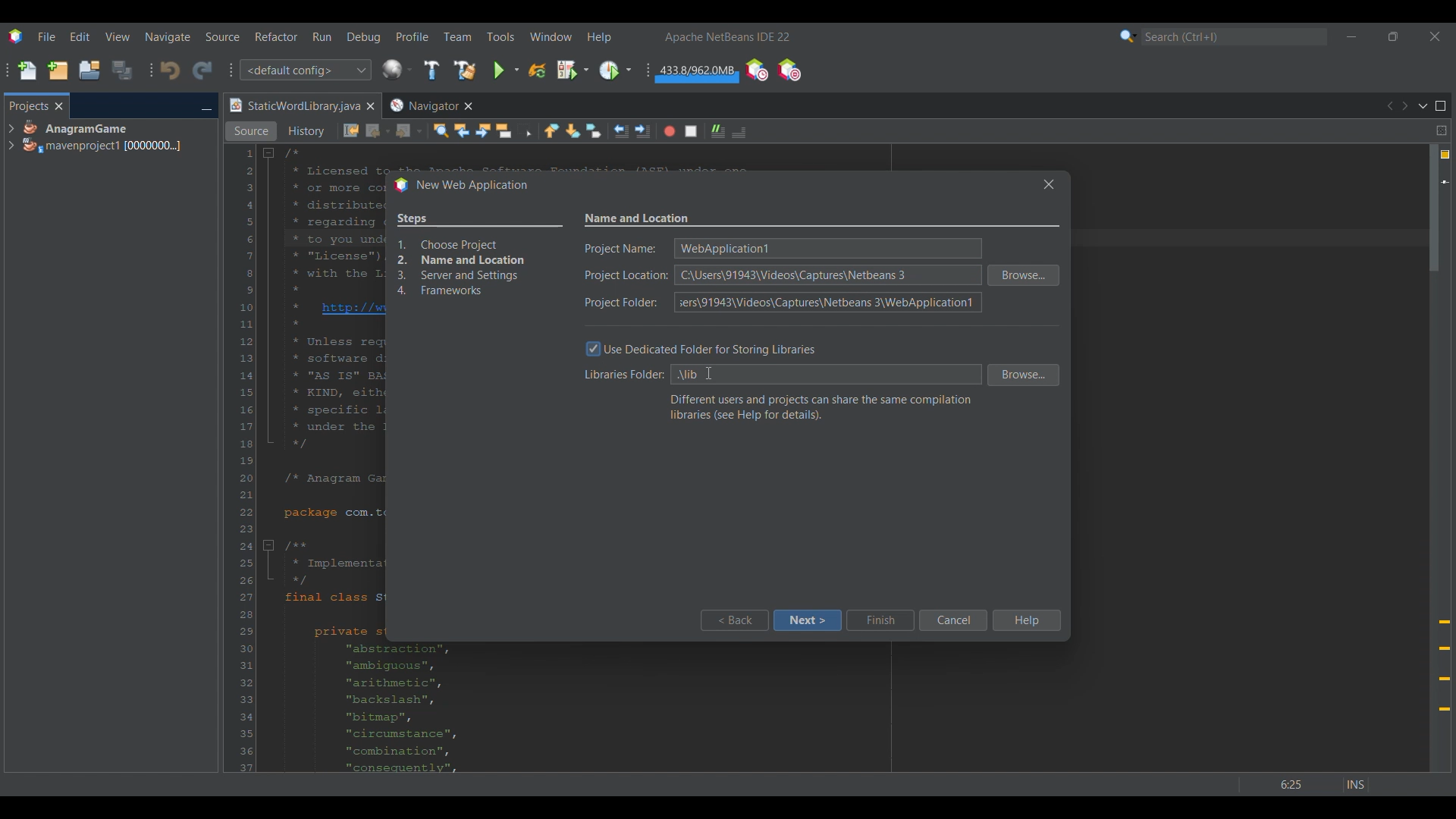  Describe the element at coordinates (58, 70) in the screenshot. I see `New project` at that location.